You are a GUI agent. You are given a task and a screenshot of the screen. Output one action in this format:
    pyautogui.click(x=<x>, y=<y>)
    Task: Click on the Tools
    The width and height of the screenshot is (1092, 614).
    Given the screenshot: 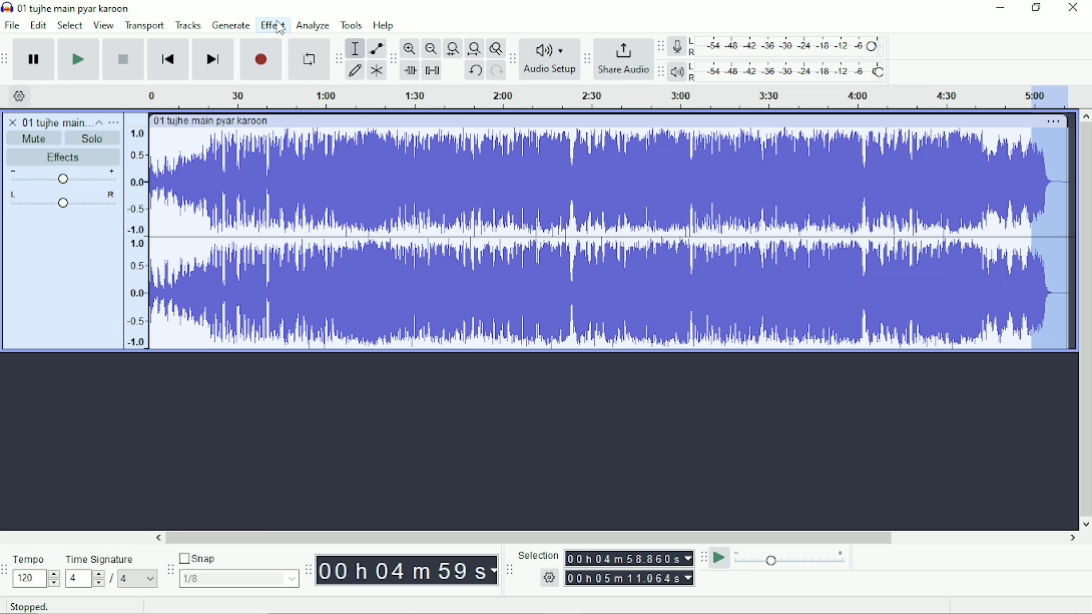 What is the action you would take?
    pyautogui.click(x=353, y=25)
    